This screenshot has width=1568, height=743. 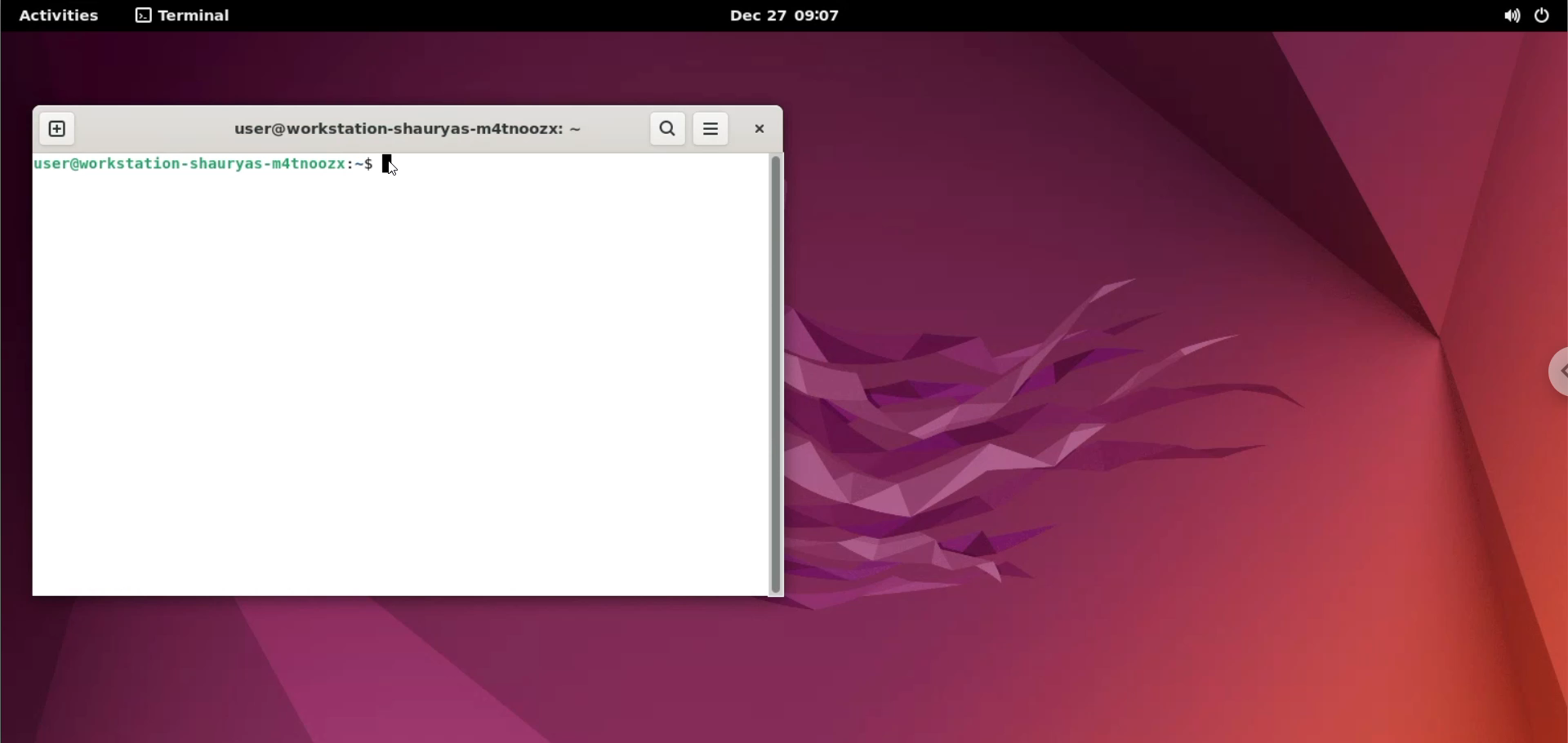 I want to click on command input box, so click(x=399, y=385).